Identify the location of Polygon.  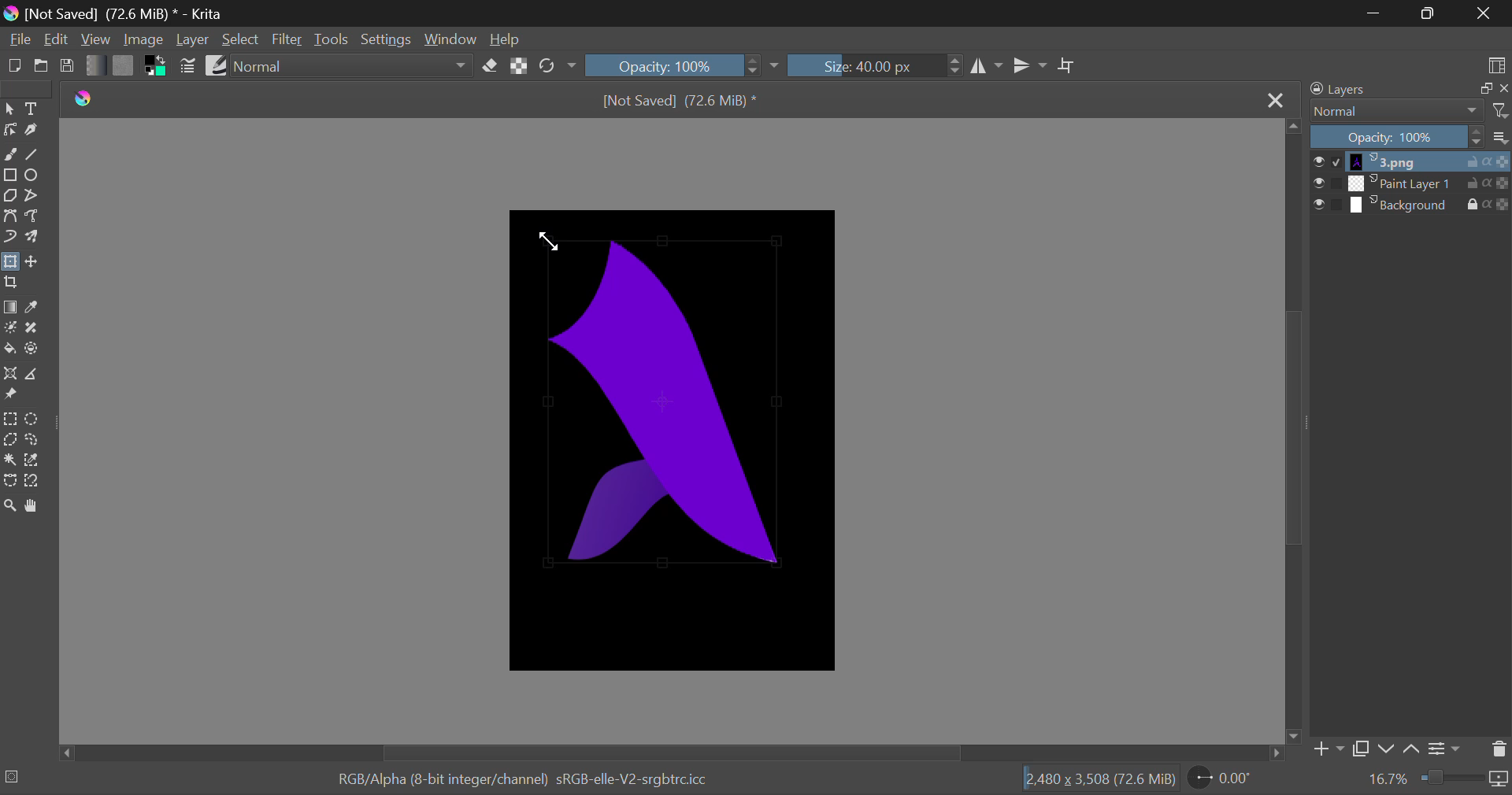
(11, 198).